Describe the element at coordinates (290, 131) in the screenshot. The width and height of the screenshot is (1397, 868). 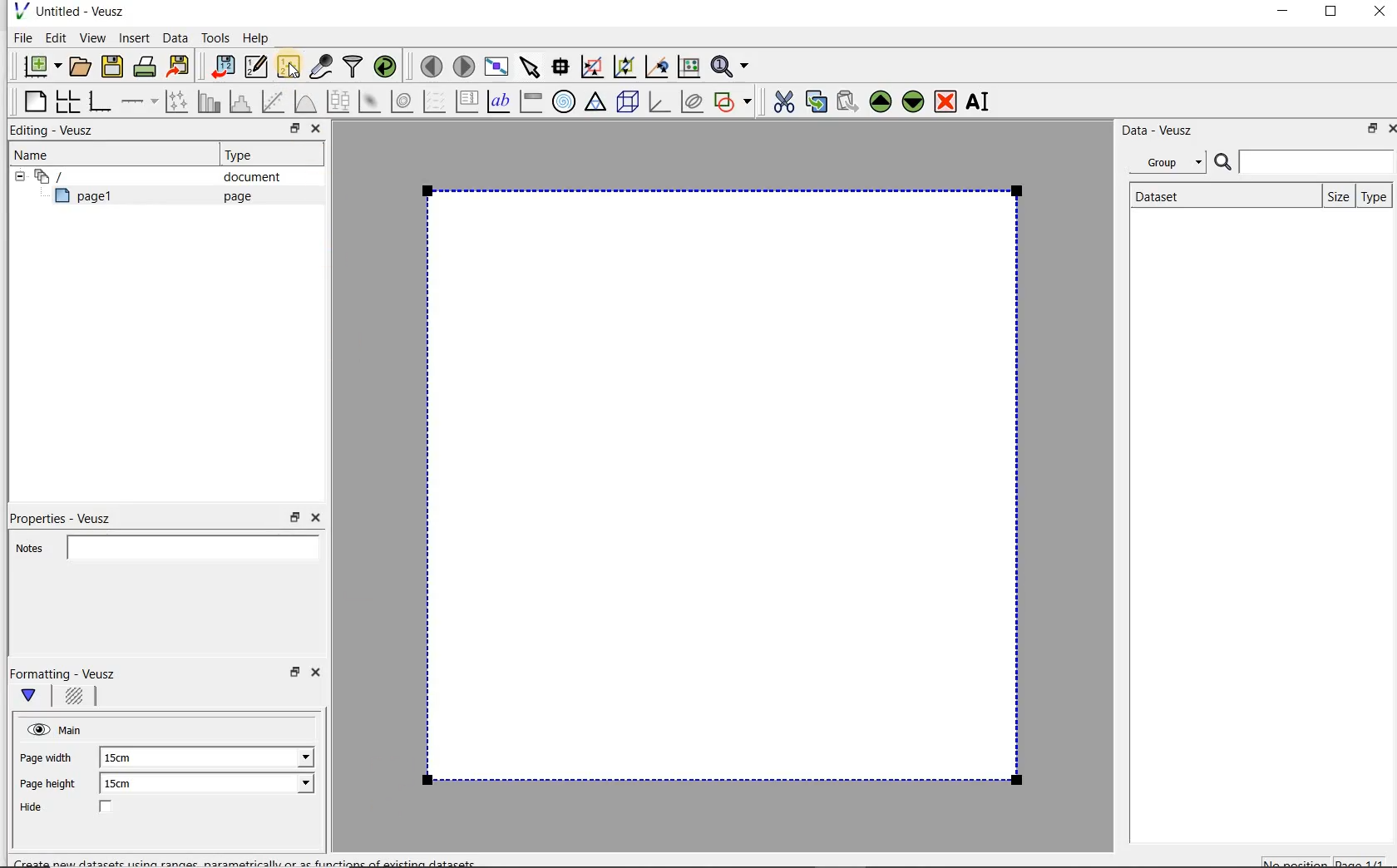
I see `restore down` at that location.